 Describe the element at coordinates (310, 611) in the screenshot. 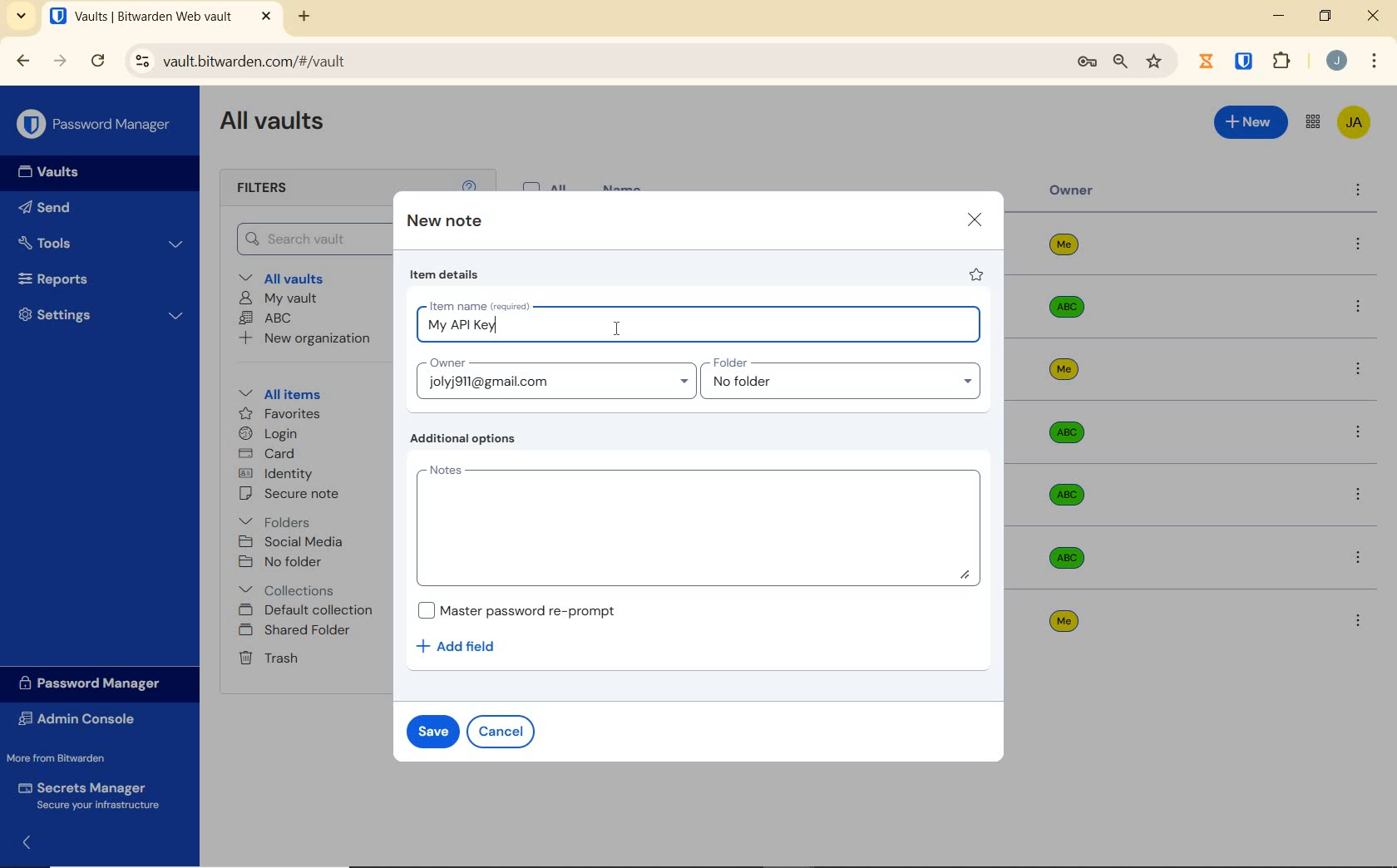

I see `Default collection` at that location.